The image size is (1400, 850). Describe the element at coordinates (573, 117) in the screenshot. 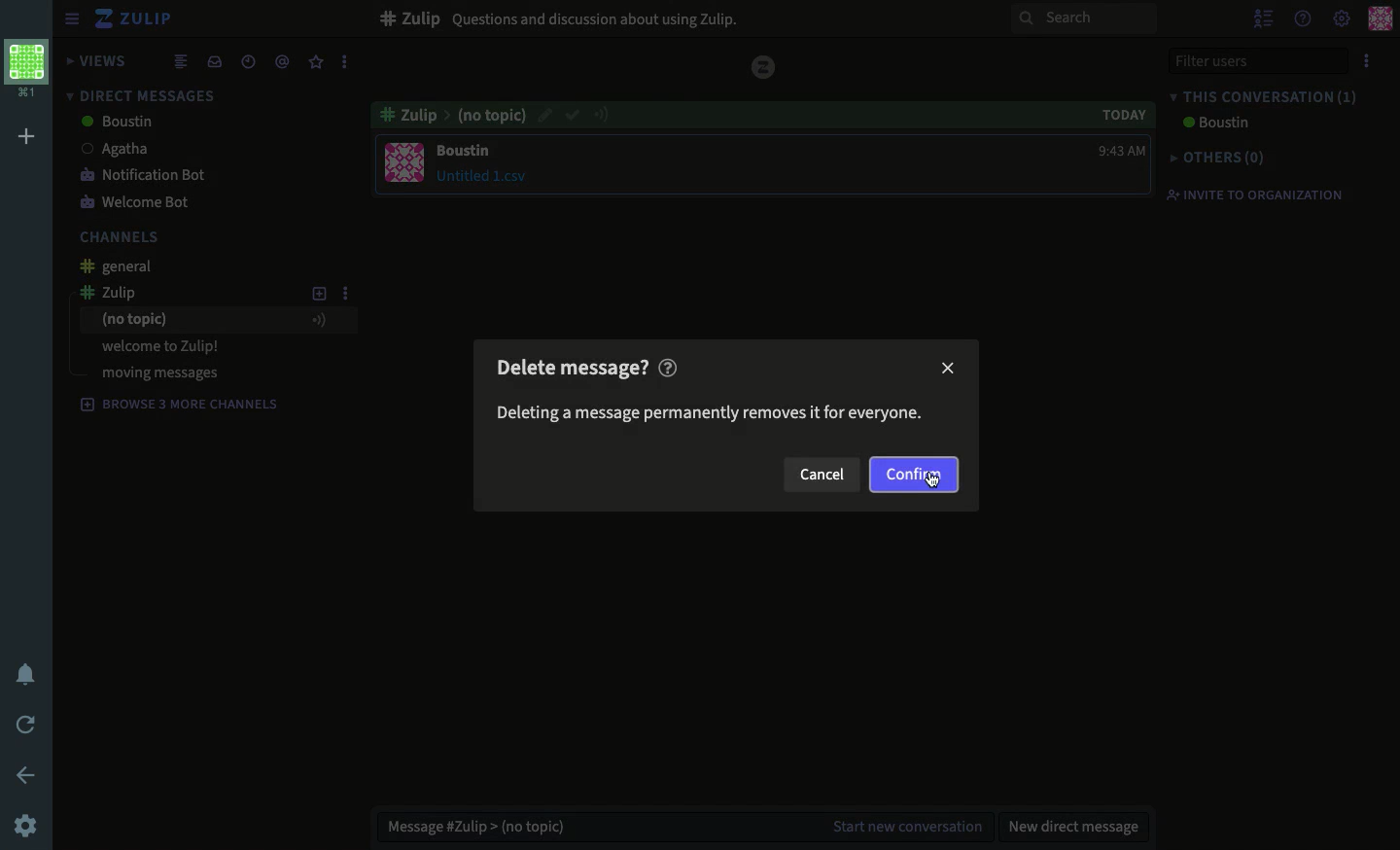

I see `confirm` at that location.